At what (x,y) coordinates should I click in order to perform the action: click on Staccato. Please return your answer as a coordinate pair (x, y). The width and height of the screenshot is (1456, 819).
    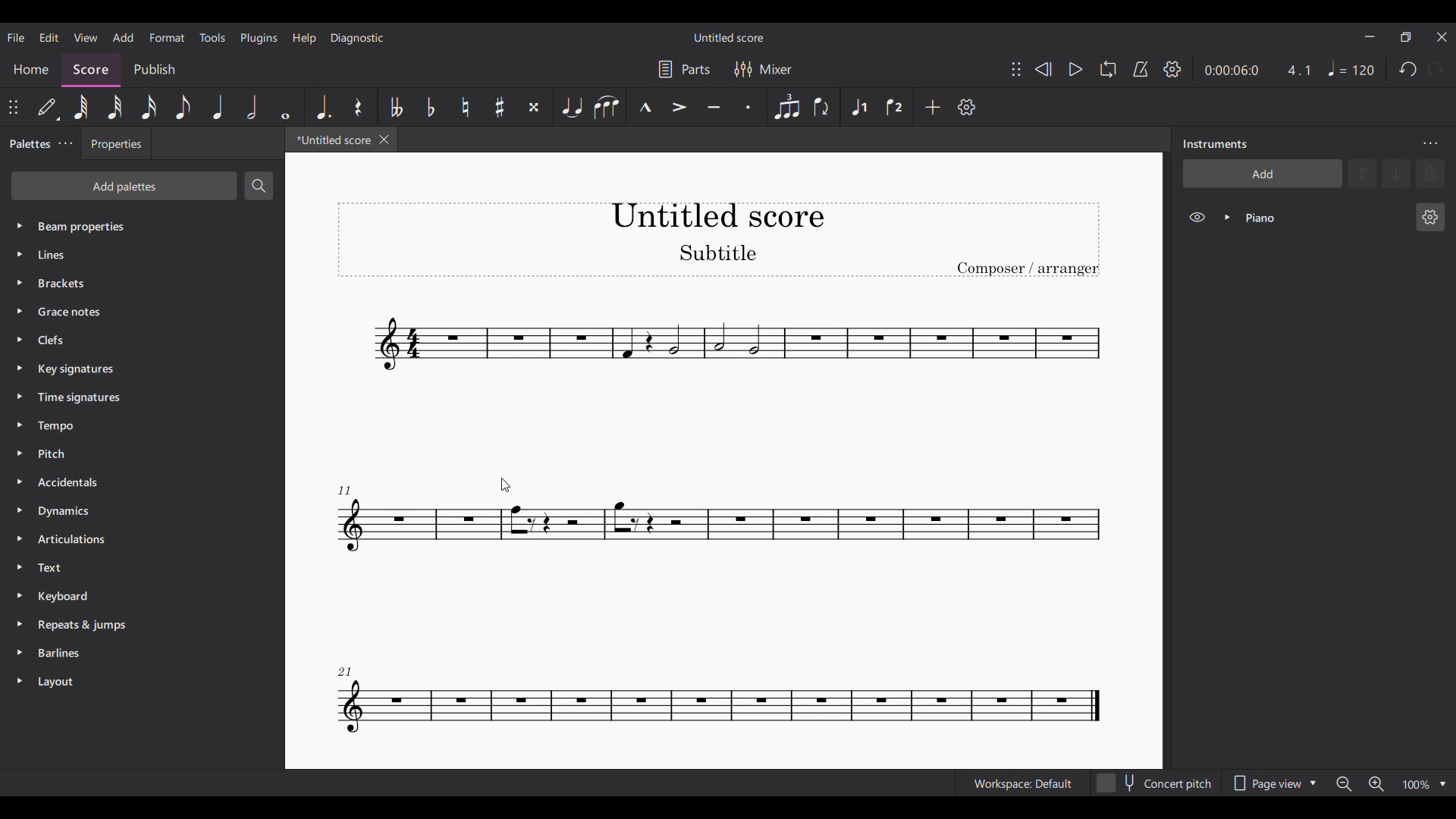
    Looking at the image, I should click on (748, 107).